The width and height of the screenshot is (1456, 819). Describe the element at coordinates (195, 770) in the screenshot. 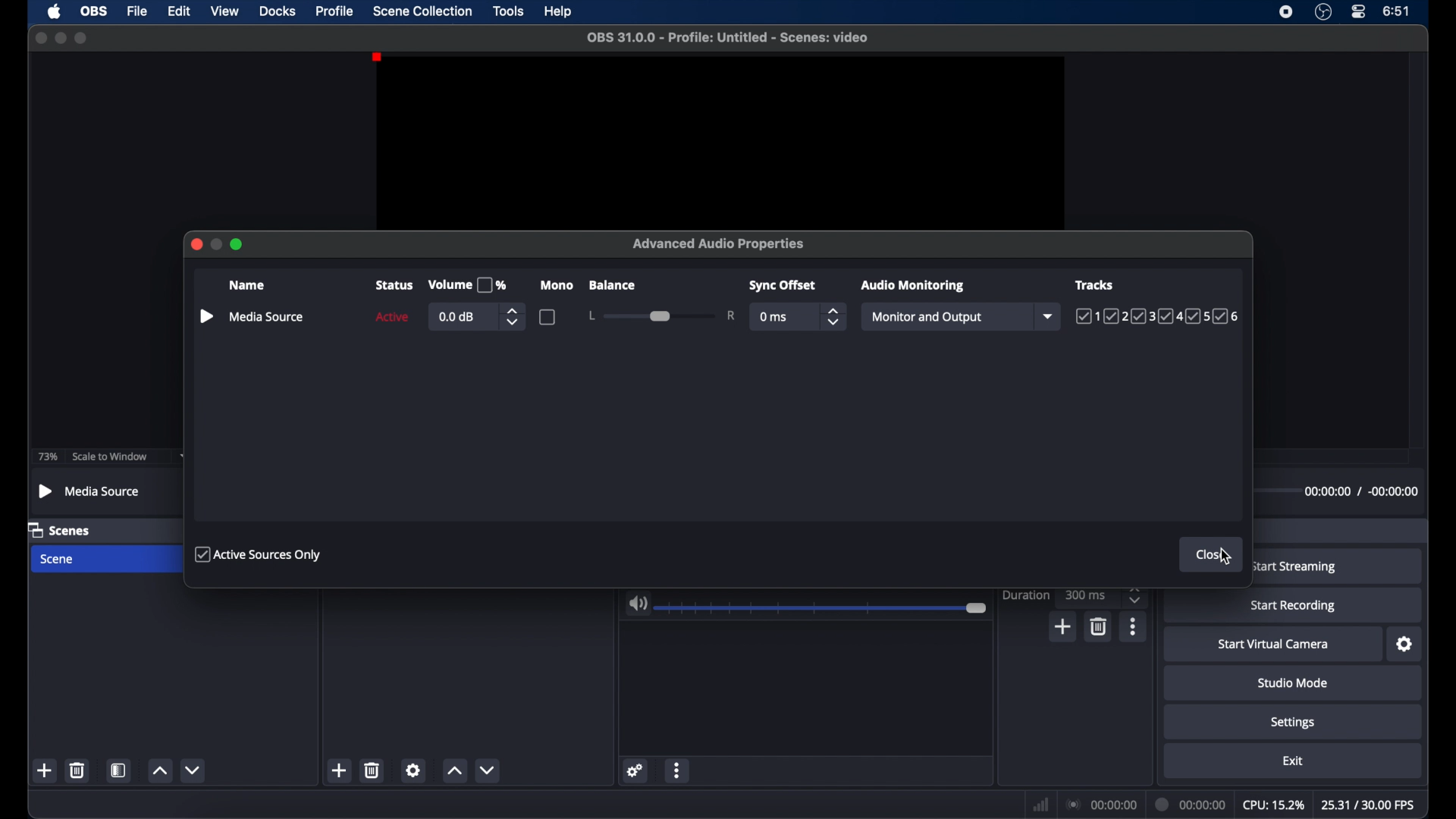

I see `decrement` at that location.